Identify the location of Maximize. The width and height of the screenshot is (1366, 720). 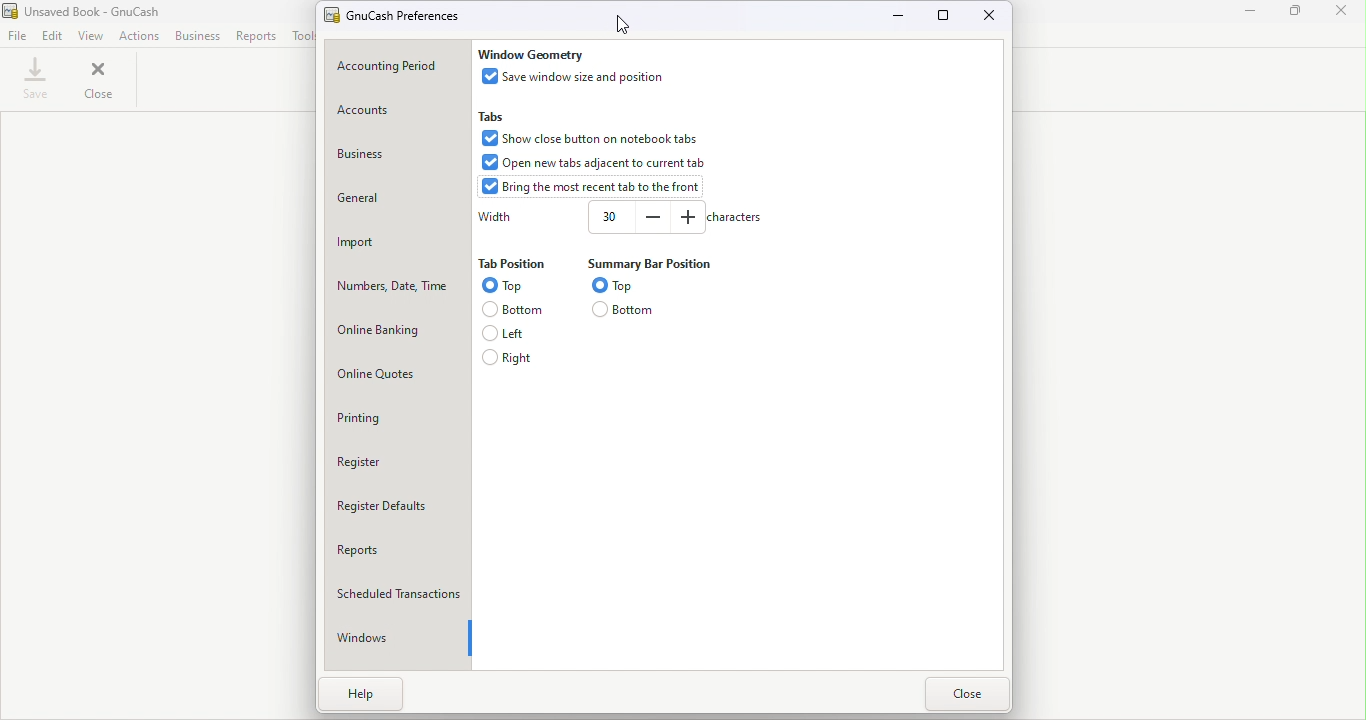
(946, 16).